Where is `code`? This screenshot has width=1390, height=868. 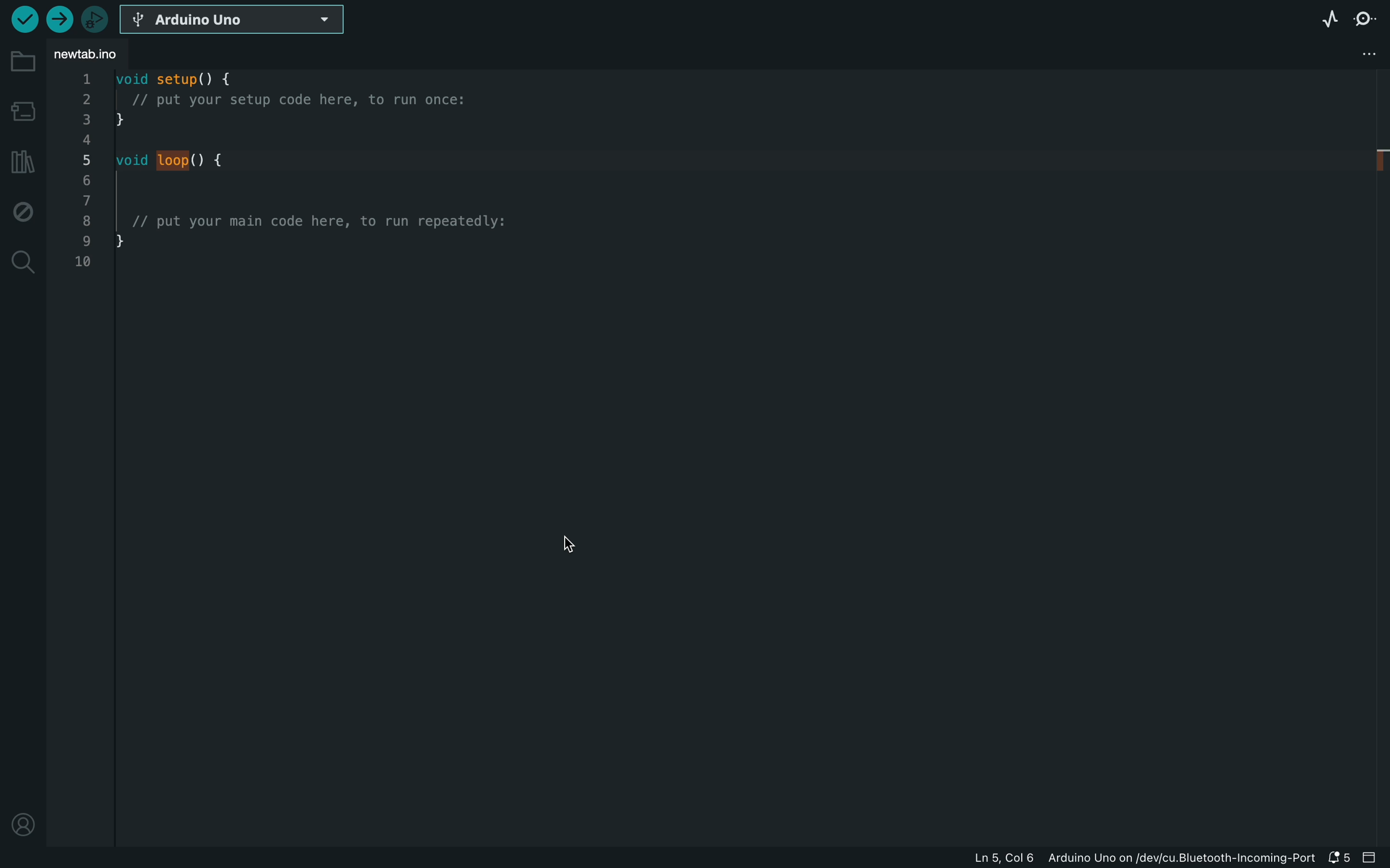 code is located at coordinates (303, 177).